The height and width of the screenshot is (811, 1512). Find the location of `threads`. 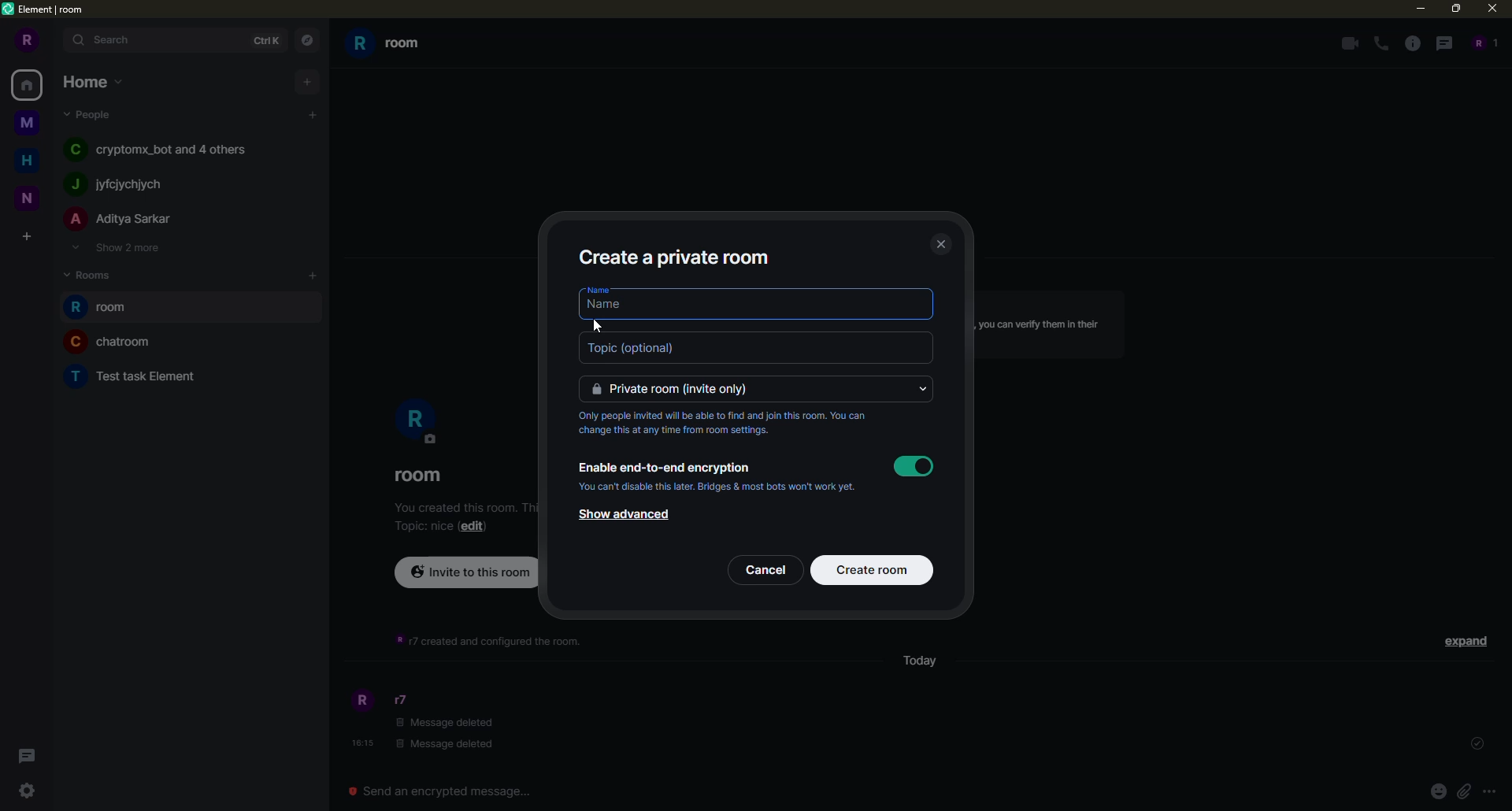

threads is located at coordinates (1443, 43).